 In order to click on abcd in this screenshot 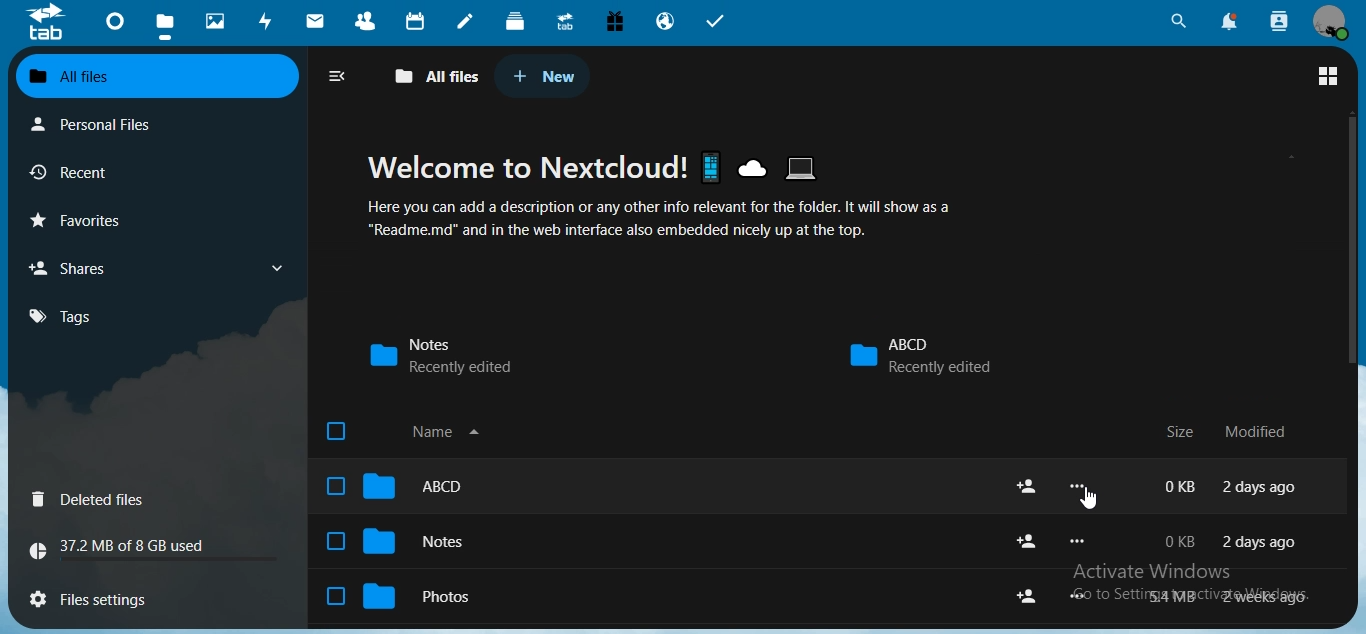, I will do `click(919, 354)`.